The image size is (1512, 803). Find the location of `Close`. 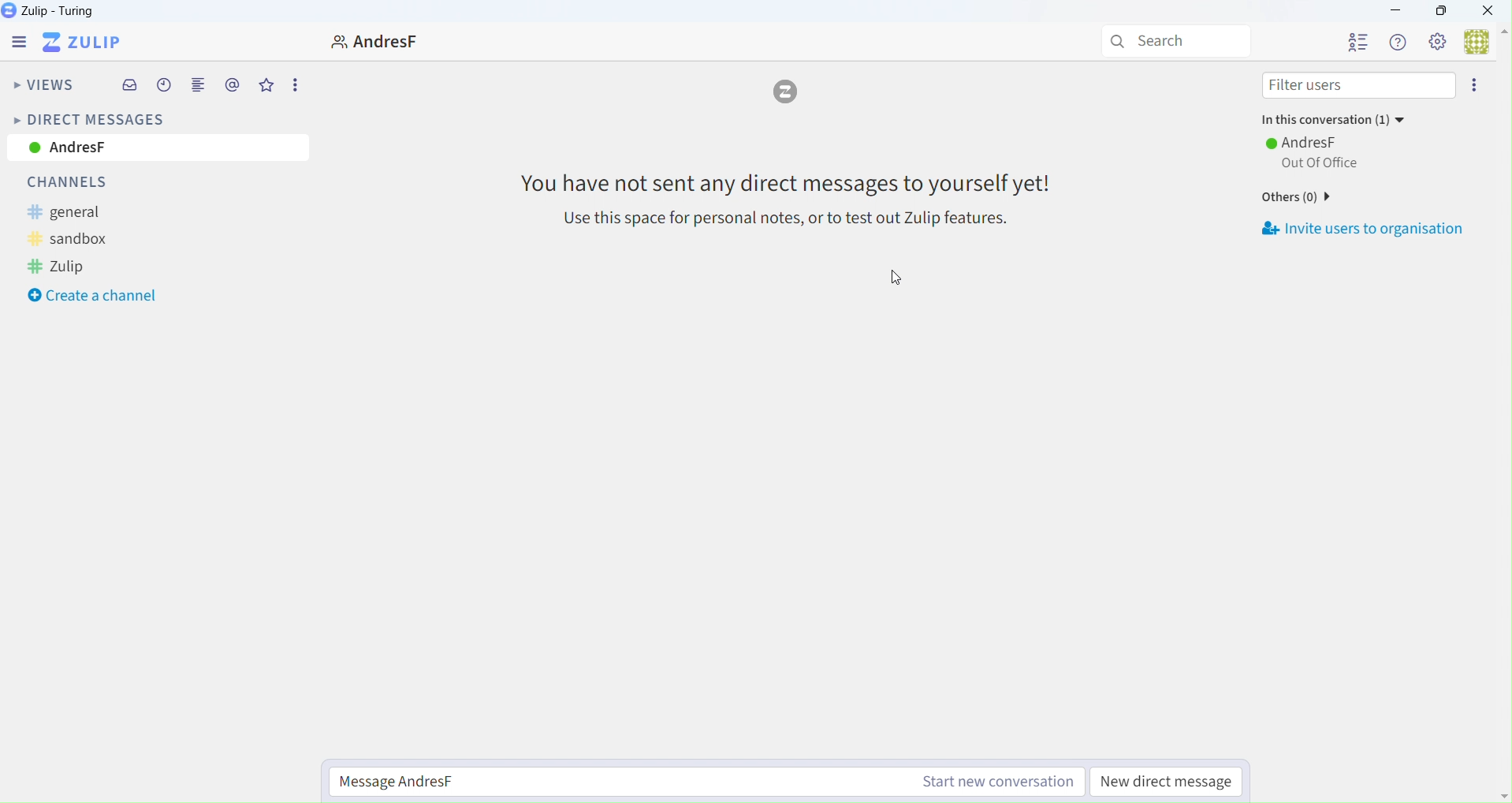

Close is located at coordinates (1493, 11).